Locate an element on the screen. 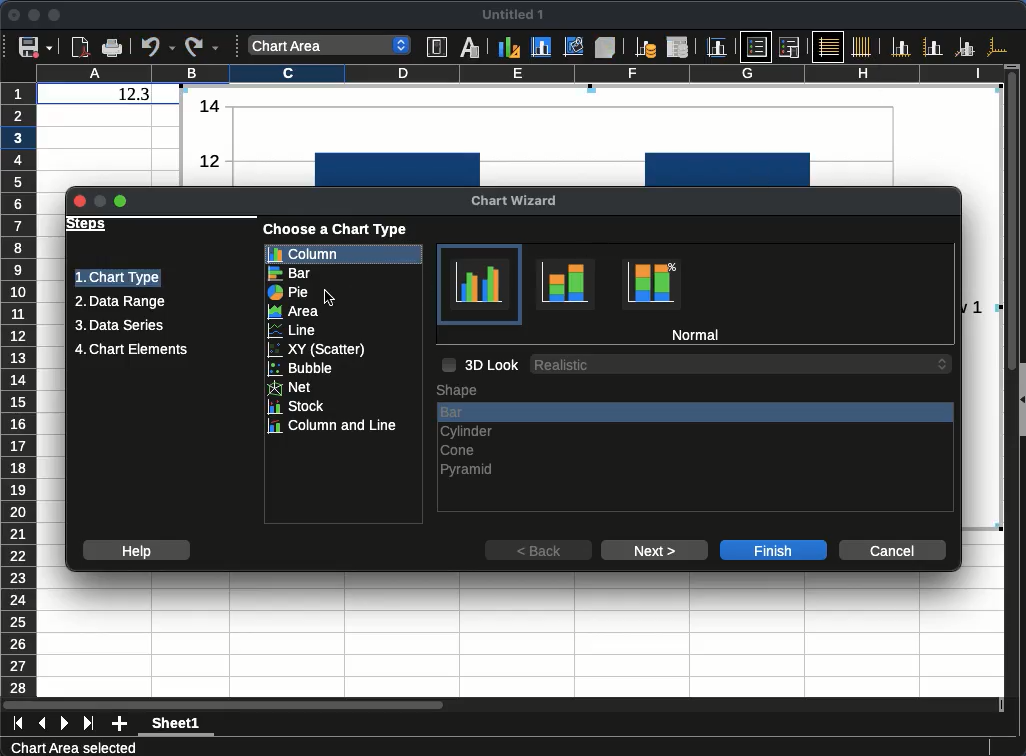 This screenshot has width=1026, height=756. next sheet is located at coordinates (65, 724).